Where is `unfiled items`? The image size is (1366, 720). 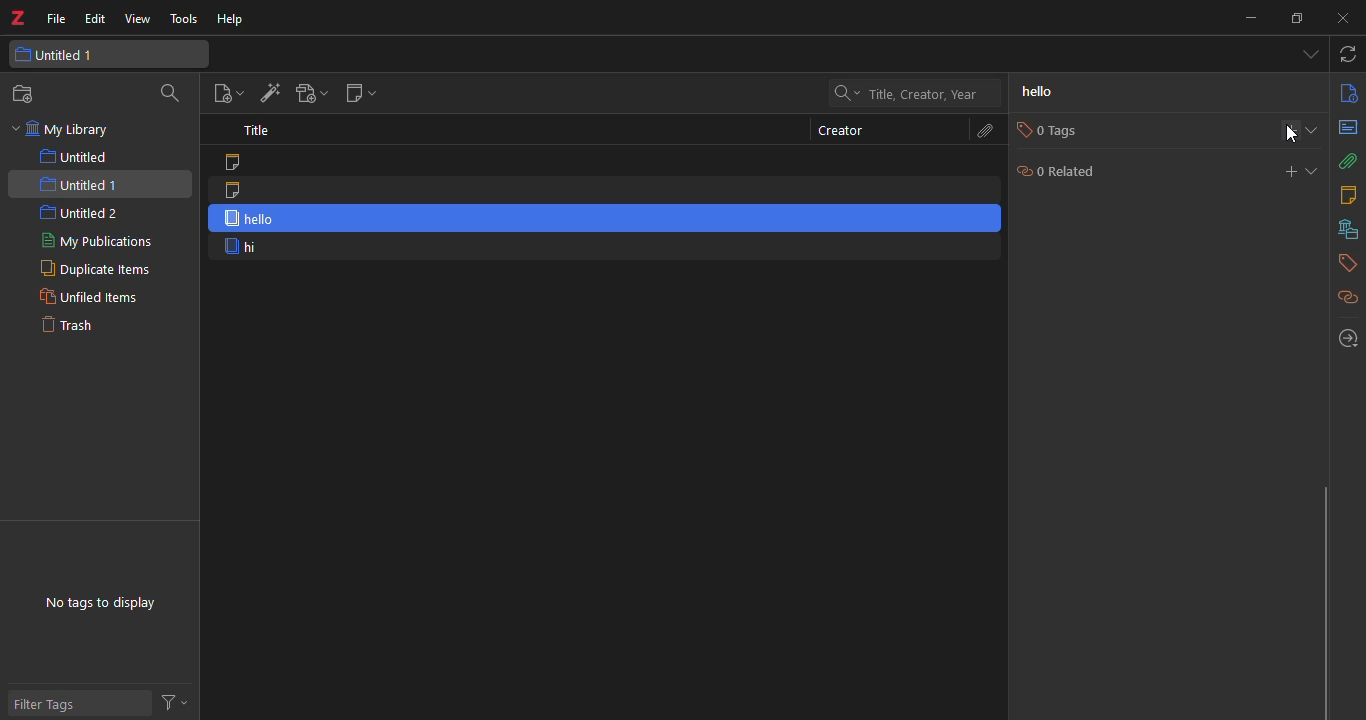
unfiled items is located at coordinates (88, 297).